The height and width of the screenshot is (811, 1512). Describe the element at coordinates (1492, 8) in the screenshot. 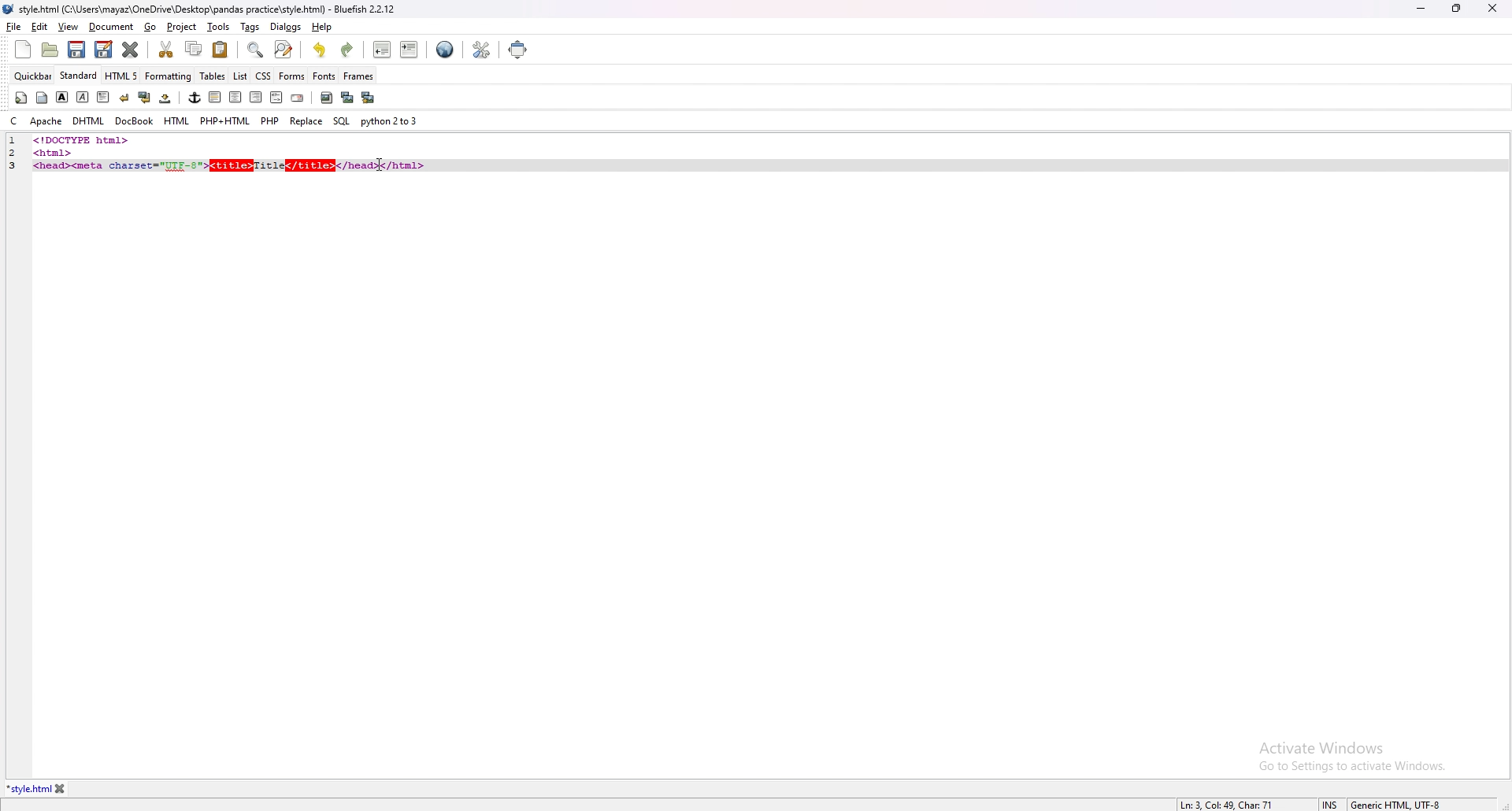

I see `close` at that location.